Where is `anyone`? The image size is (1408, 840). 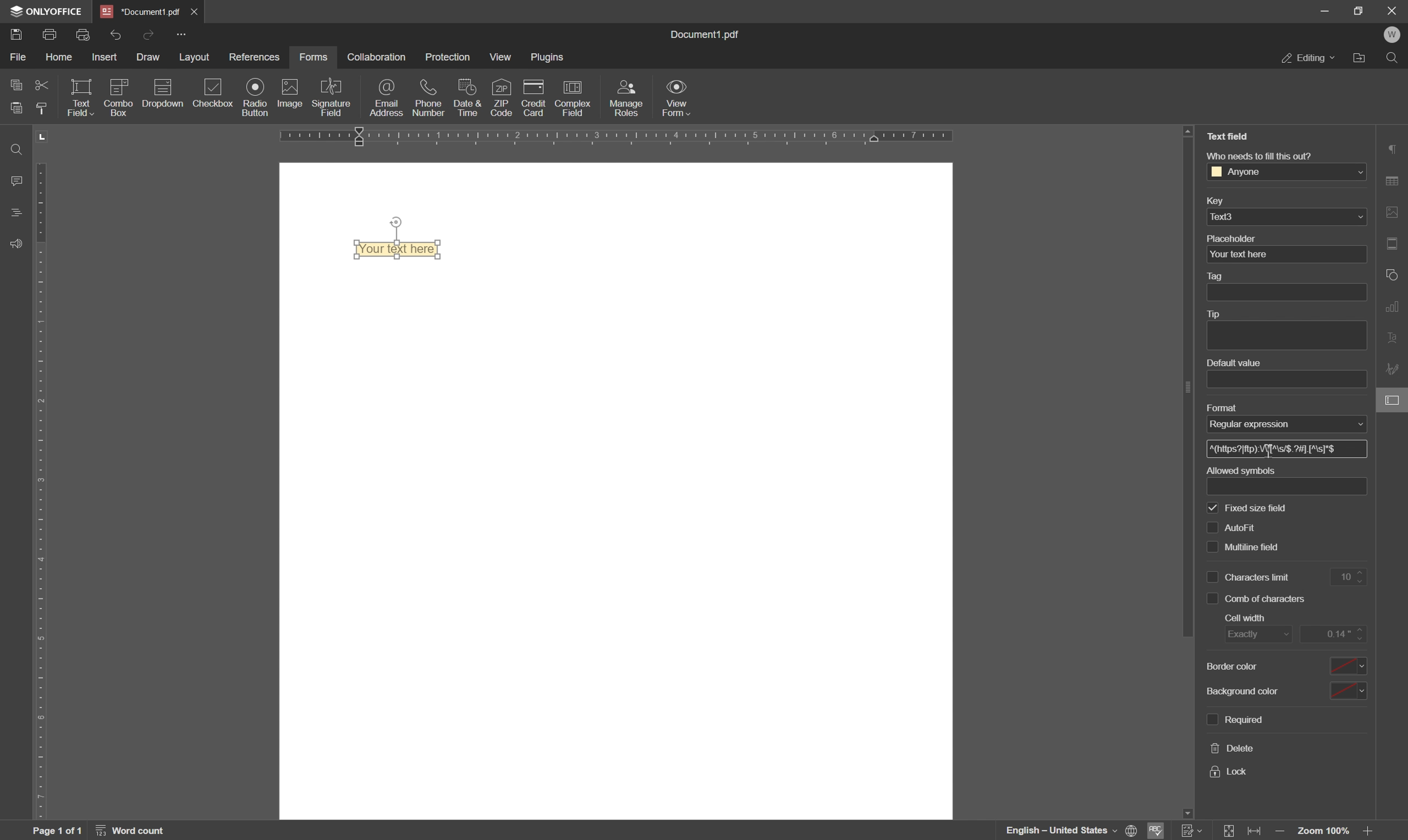
anyone is located at coordinates (1243, 172).